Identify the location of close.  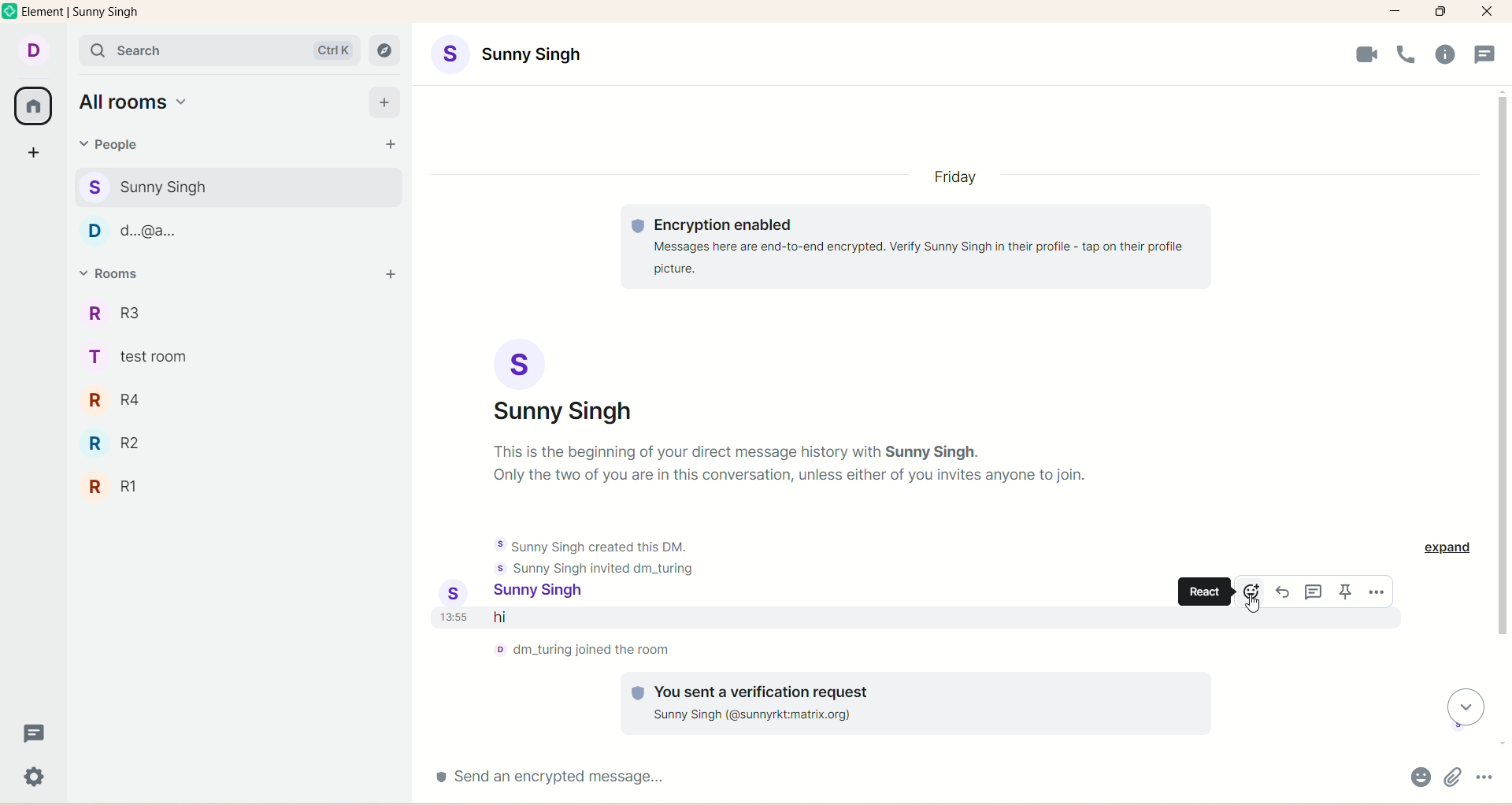
(1488, 12).